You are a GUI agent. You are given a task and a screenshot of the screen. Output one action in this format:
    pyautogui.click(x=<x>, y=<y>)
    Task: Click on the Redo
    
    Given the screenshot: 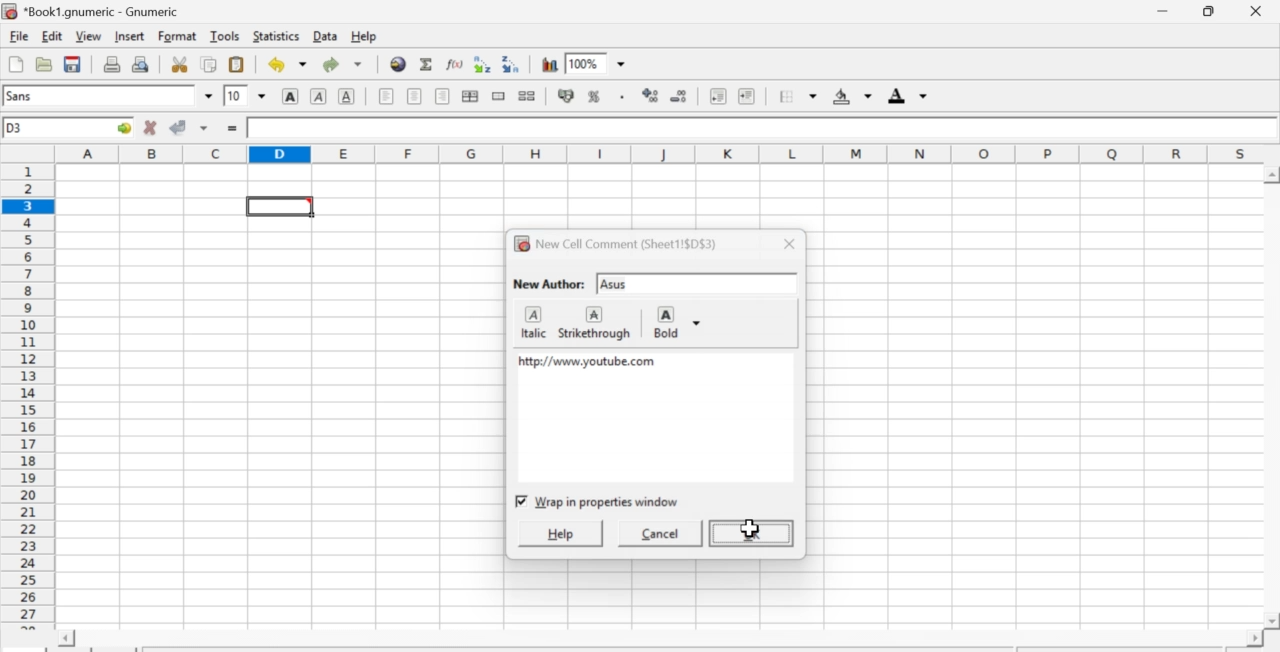 What is the action you would take?
    pyautogui.click(x=346, y=64)
    